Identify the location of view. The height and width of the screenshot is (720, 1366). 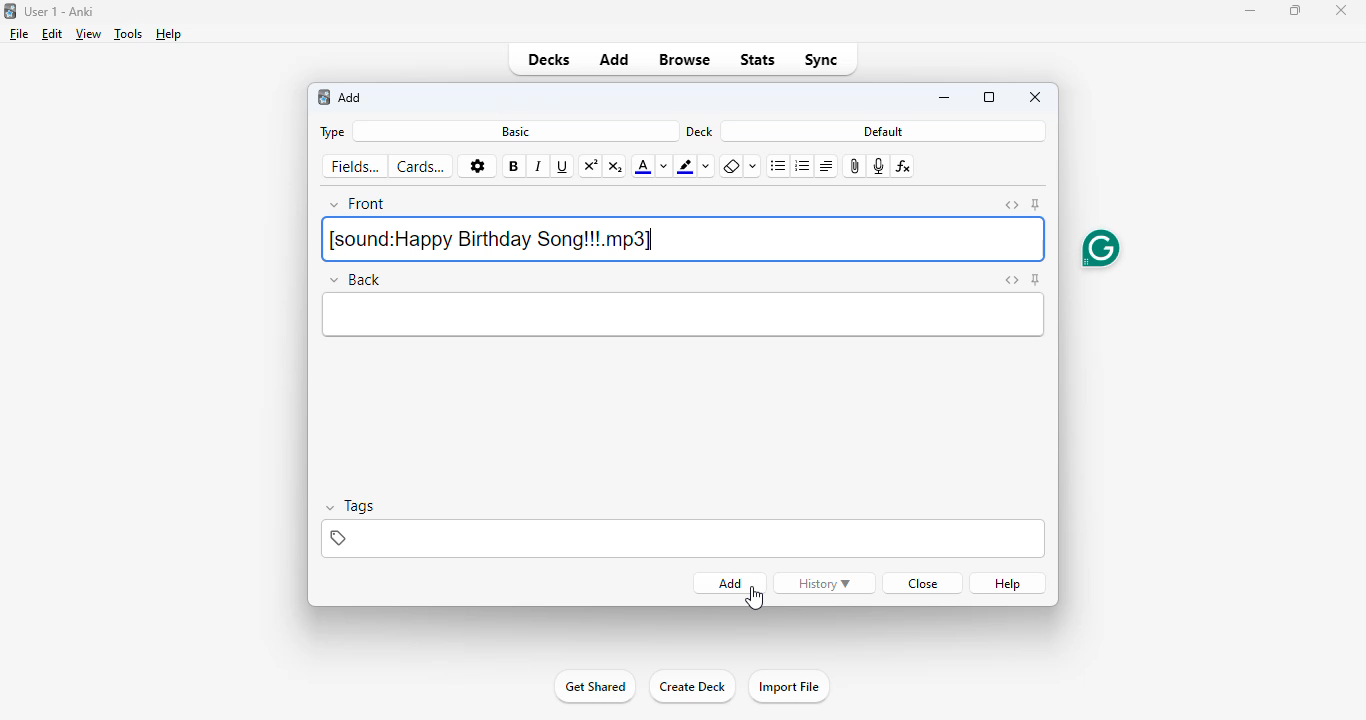
(89, 34).